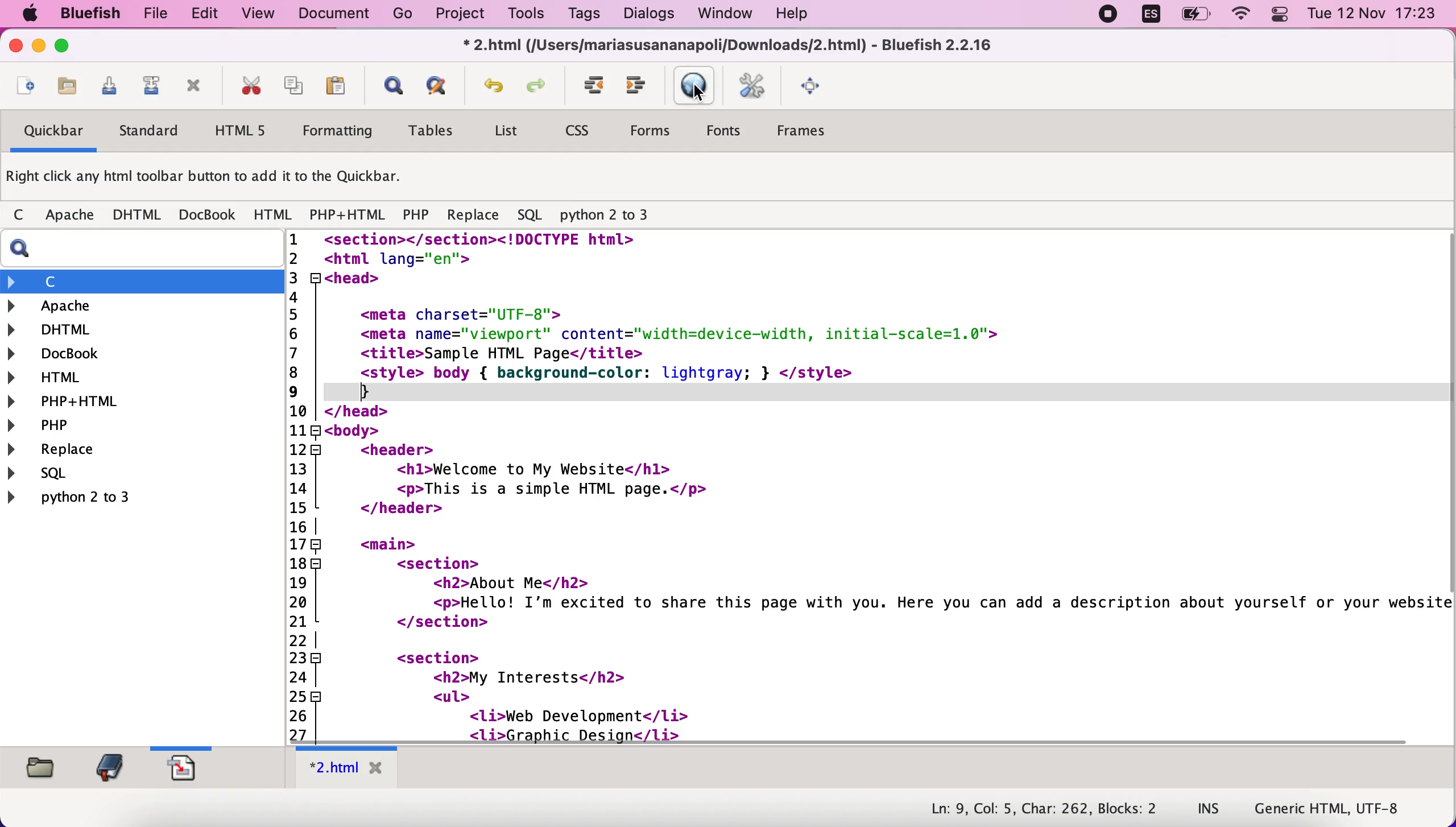 The height and width of the screenshot is (827, 1456). I want to click on close current file, so click(198, 86).